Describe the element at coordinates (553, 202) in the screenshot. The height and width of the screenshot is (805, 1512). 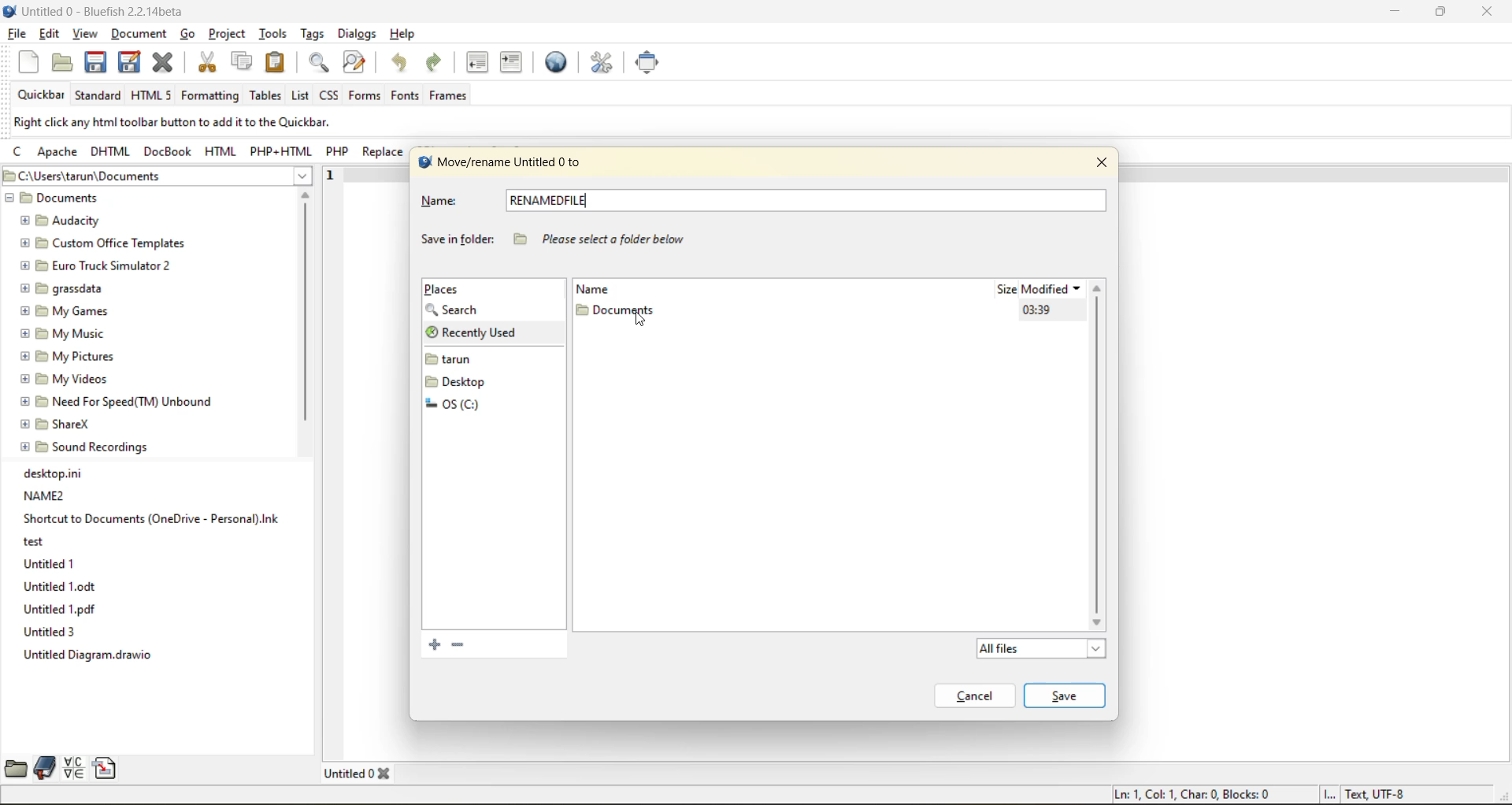
I see `new file name` at that location.